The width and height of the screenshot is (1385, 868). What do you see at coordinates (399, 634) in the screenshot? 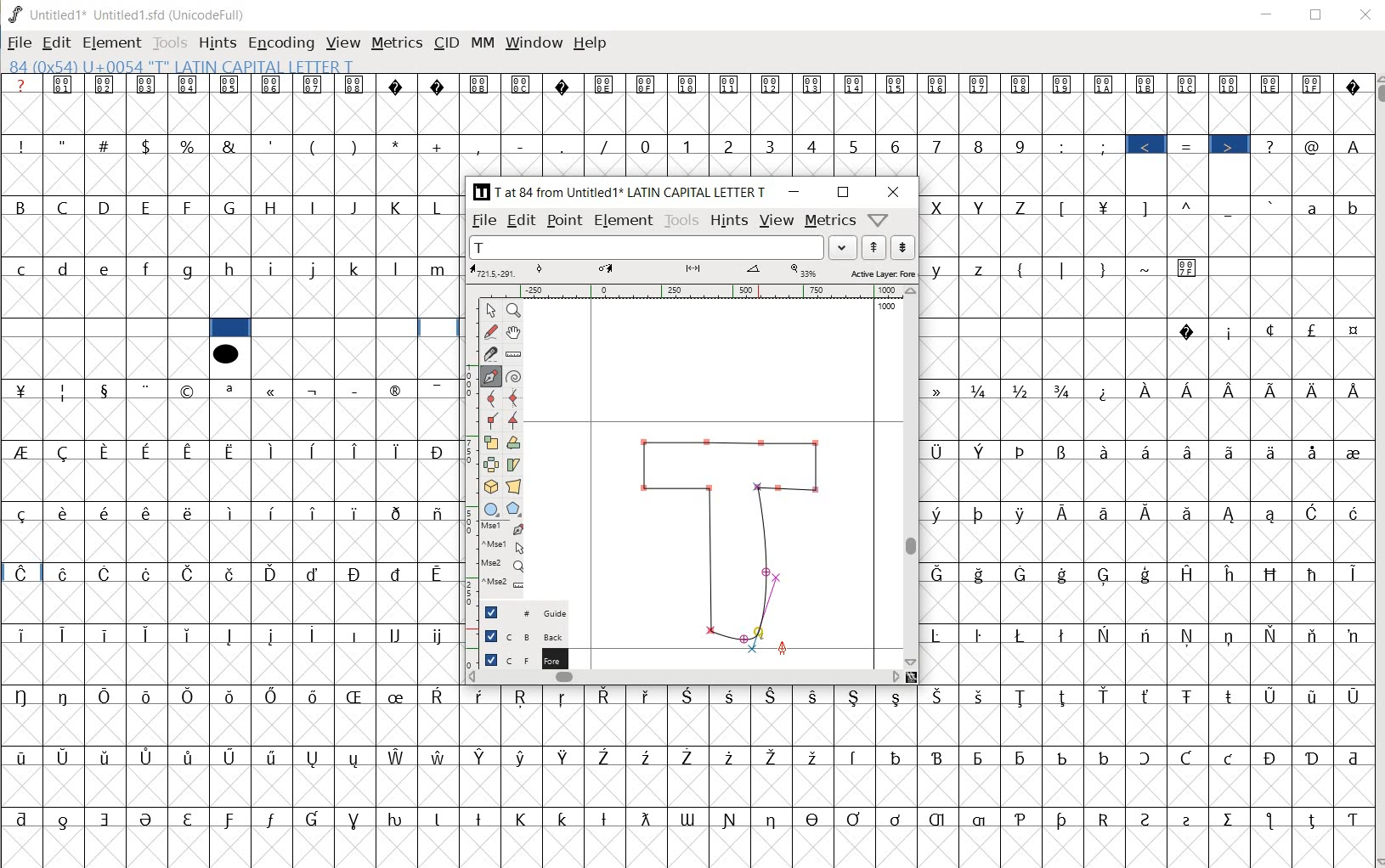
I see `Symbol` at bounding box center [399, 634].